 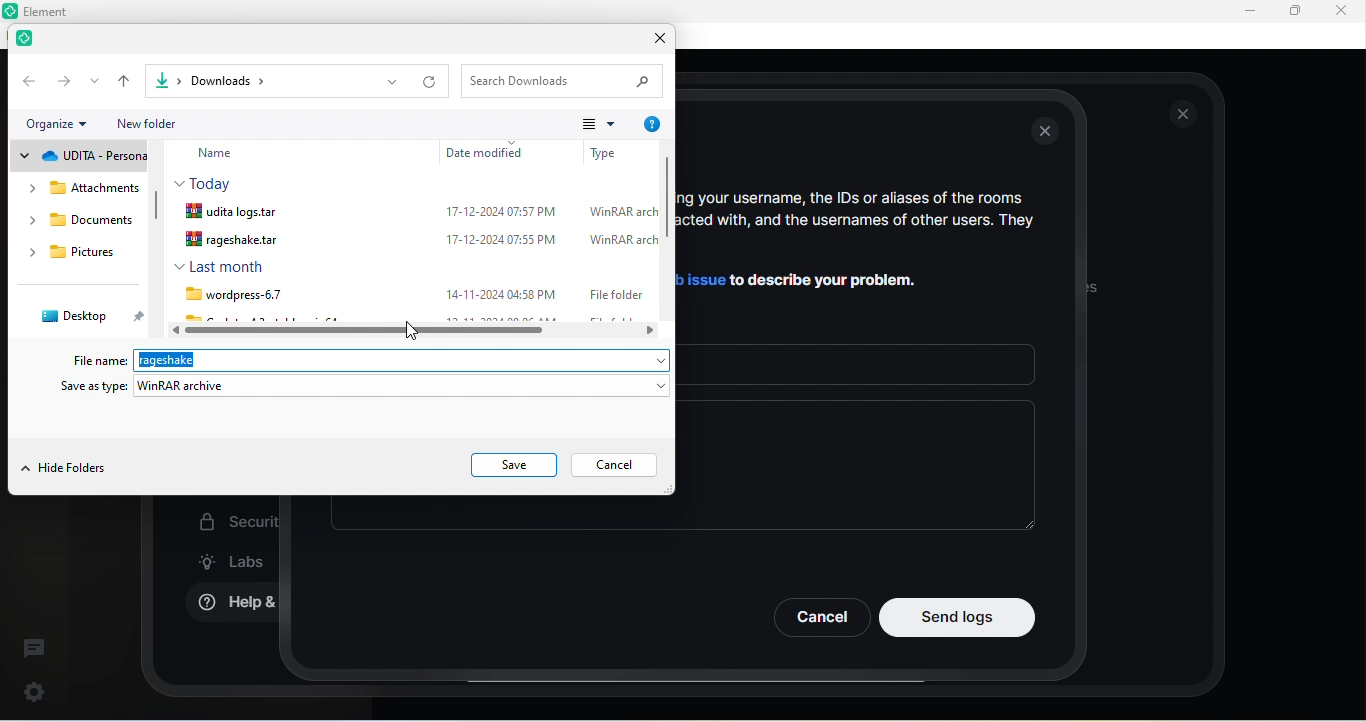 What do you see at coordinates (208, 182) in the screenshot?
I see `Today` at bounding box center [208, 182].